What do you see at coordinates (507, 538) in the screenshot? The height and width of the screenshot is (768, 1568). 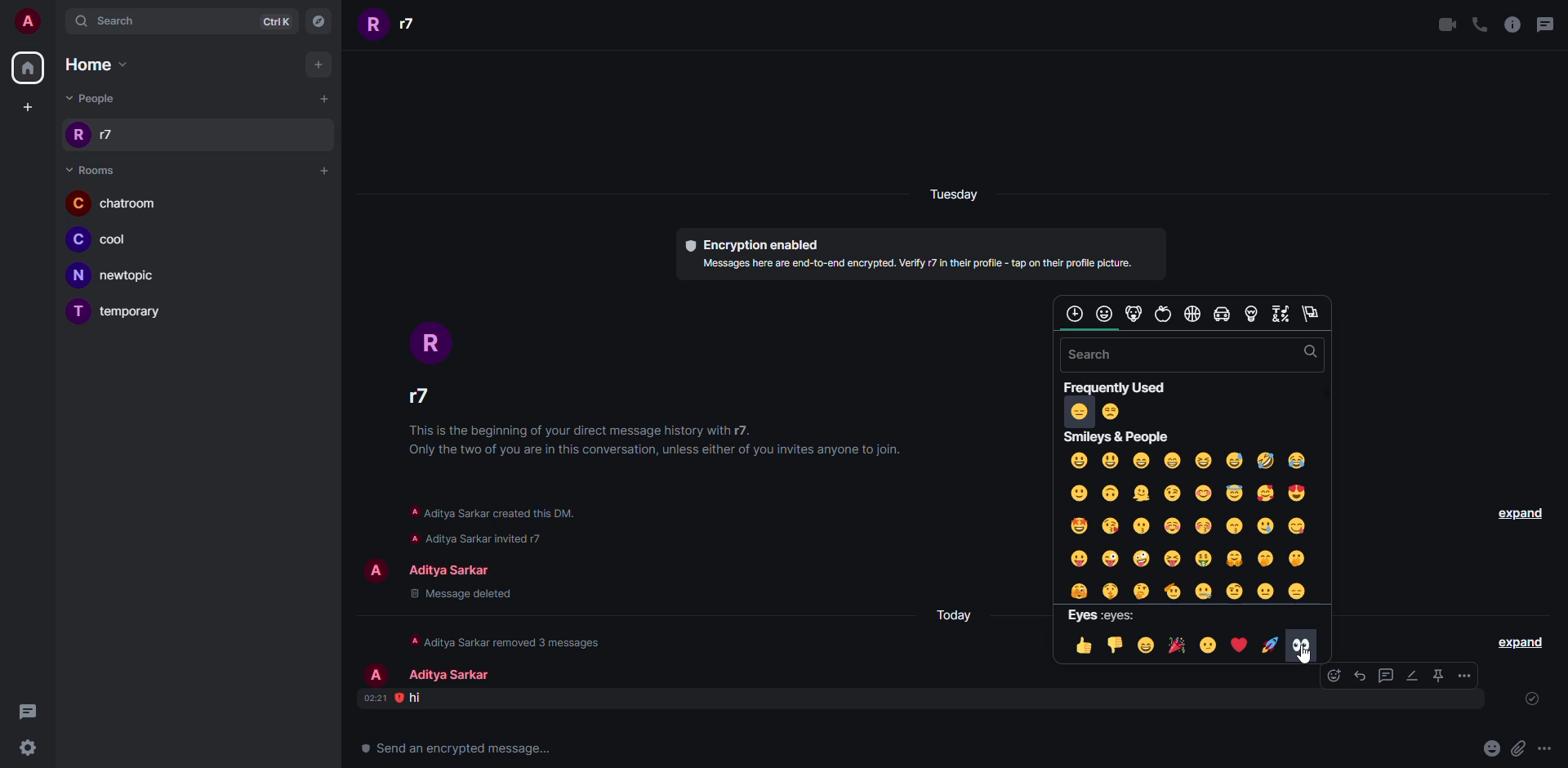 I see `info` at bounding box center [507, 538].